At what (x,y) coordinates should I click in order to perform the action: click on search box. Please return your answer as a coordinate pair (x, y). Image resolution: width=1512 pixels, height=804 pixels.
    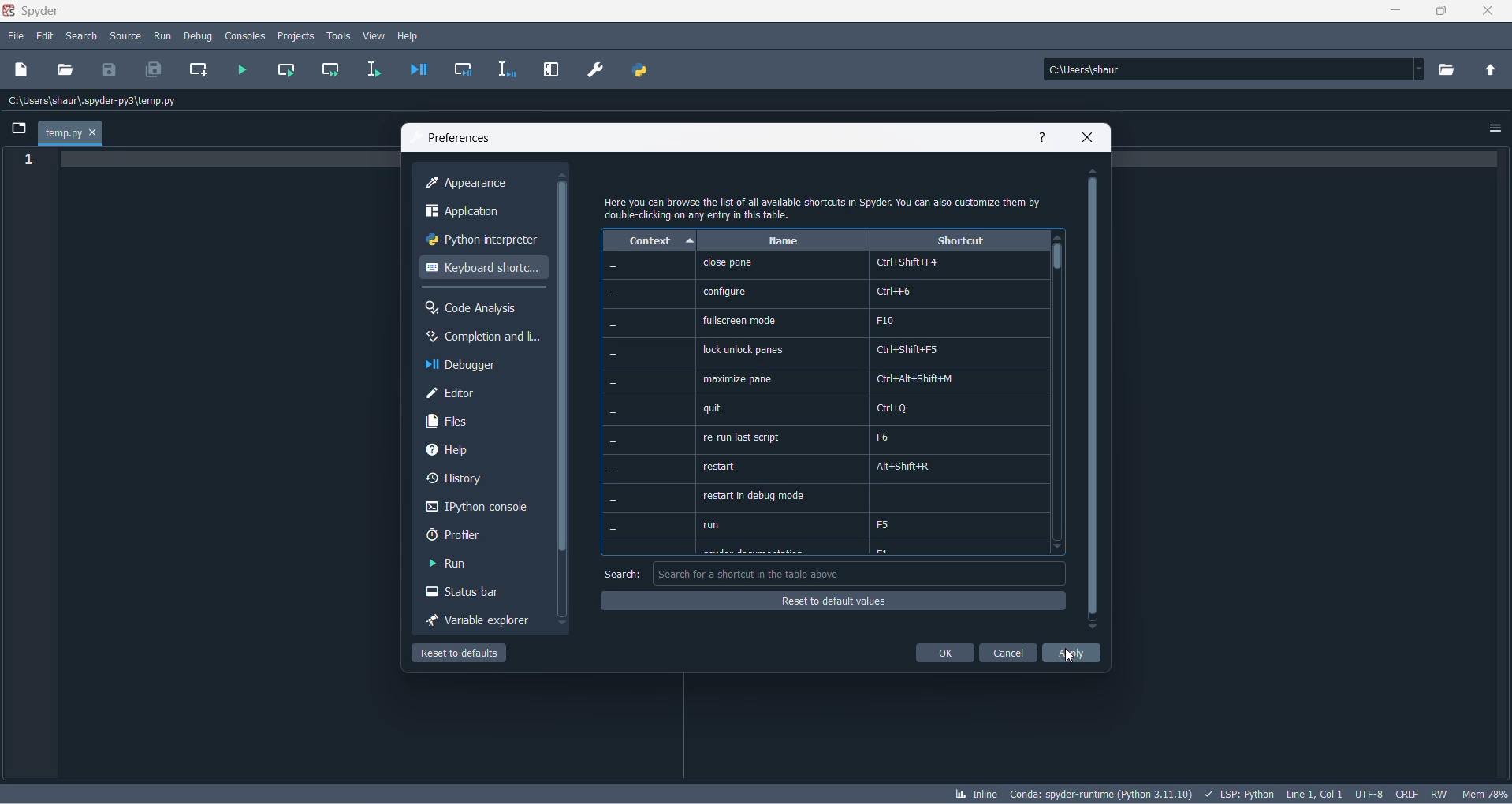
    Looking at the image, I should click on (862, 573).